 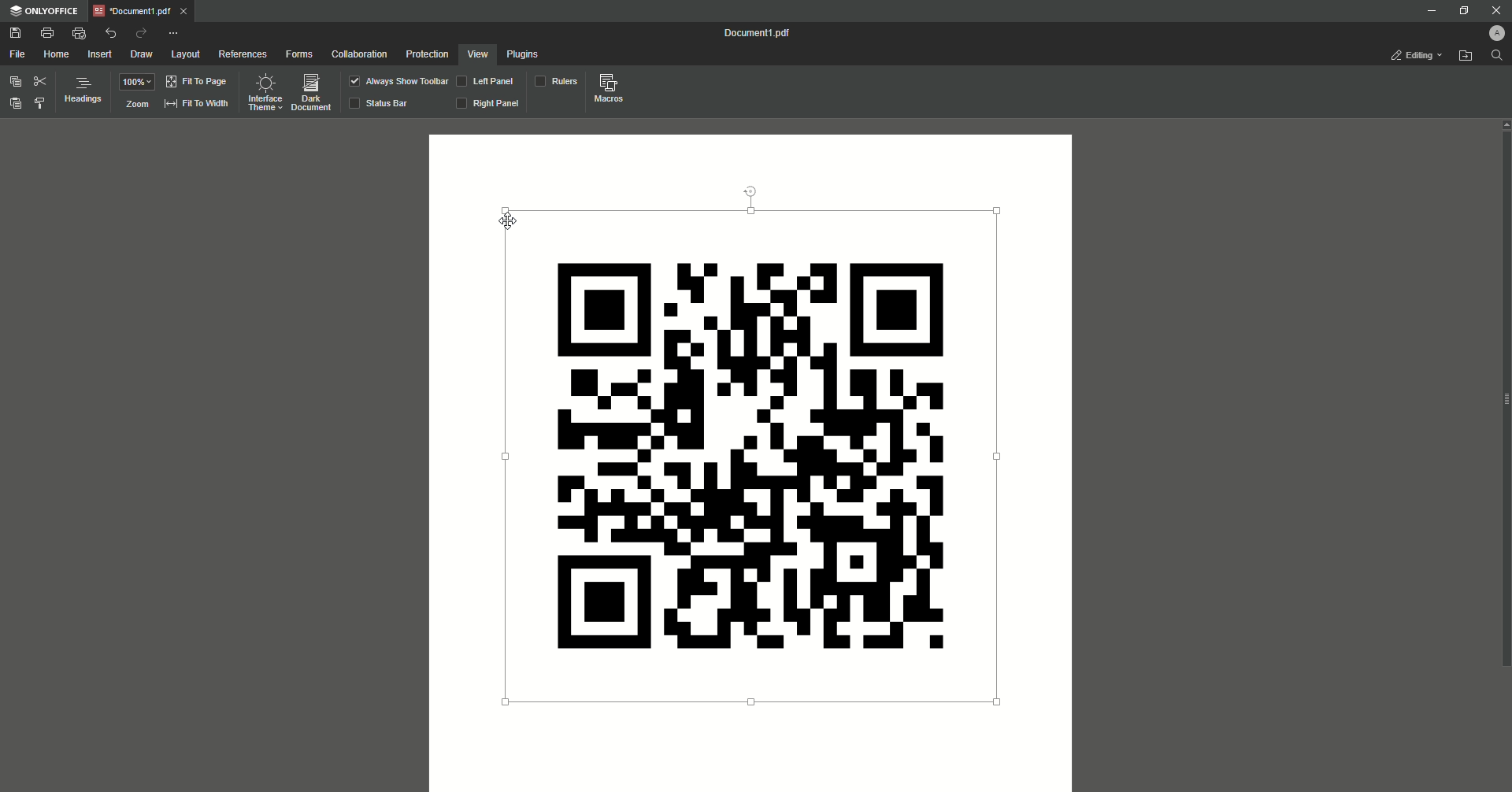 What do you see at coordinates (175, 34) in the screenshot?
I see `Options` at bounding box center [175, 34].